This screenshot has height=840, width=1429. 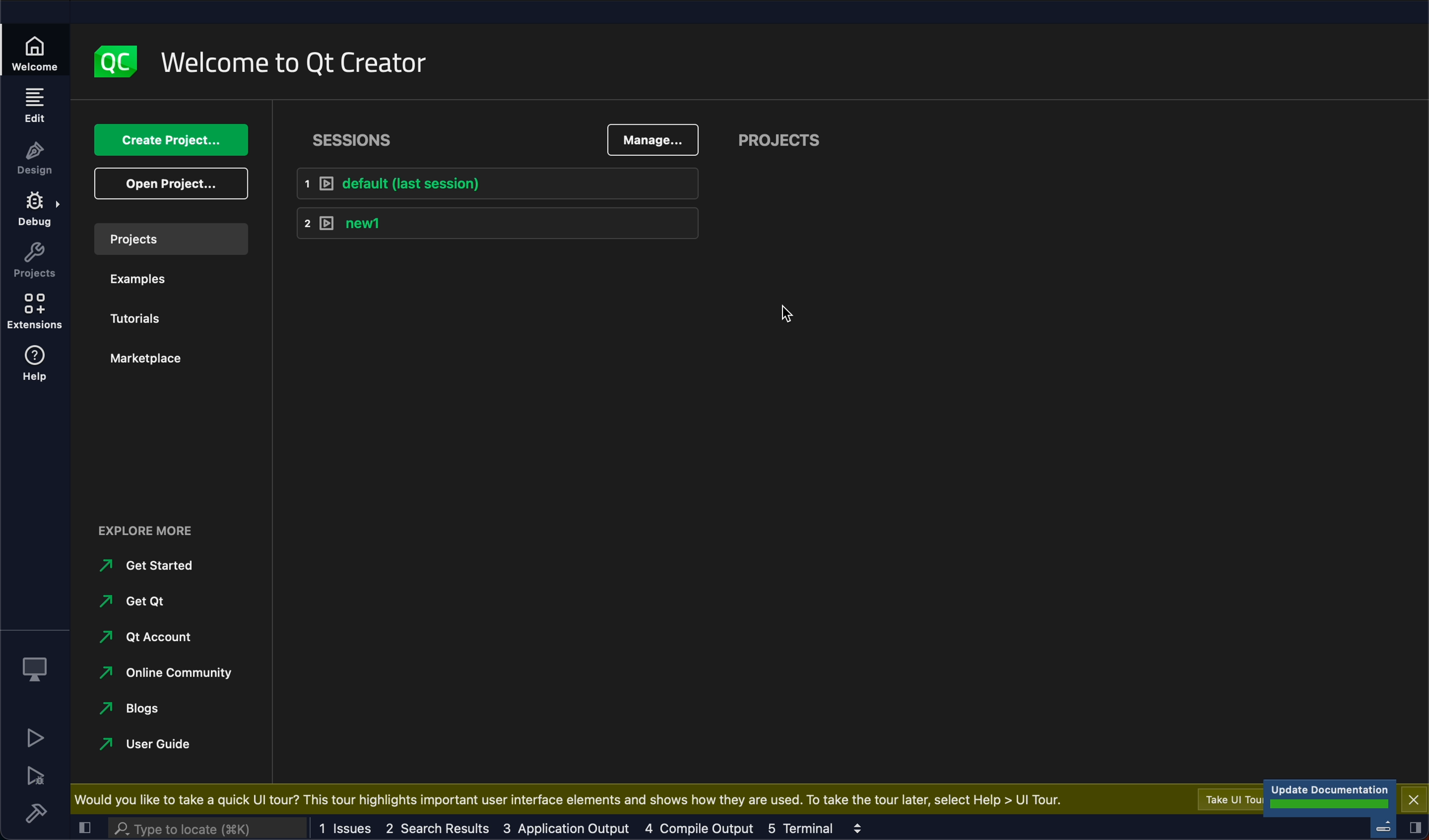 What do you see at coordinates (210, 829) in the screenshot?
I see `search` at bounding box center [210, 829].